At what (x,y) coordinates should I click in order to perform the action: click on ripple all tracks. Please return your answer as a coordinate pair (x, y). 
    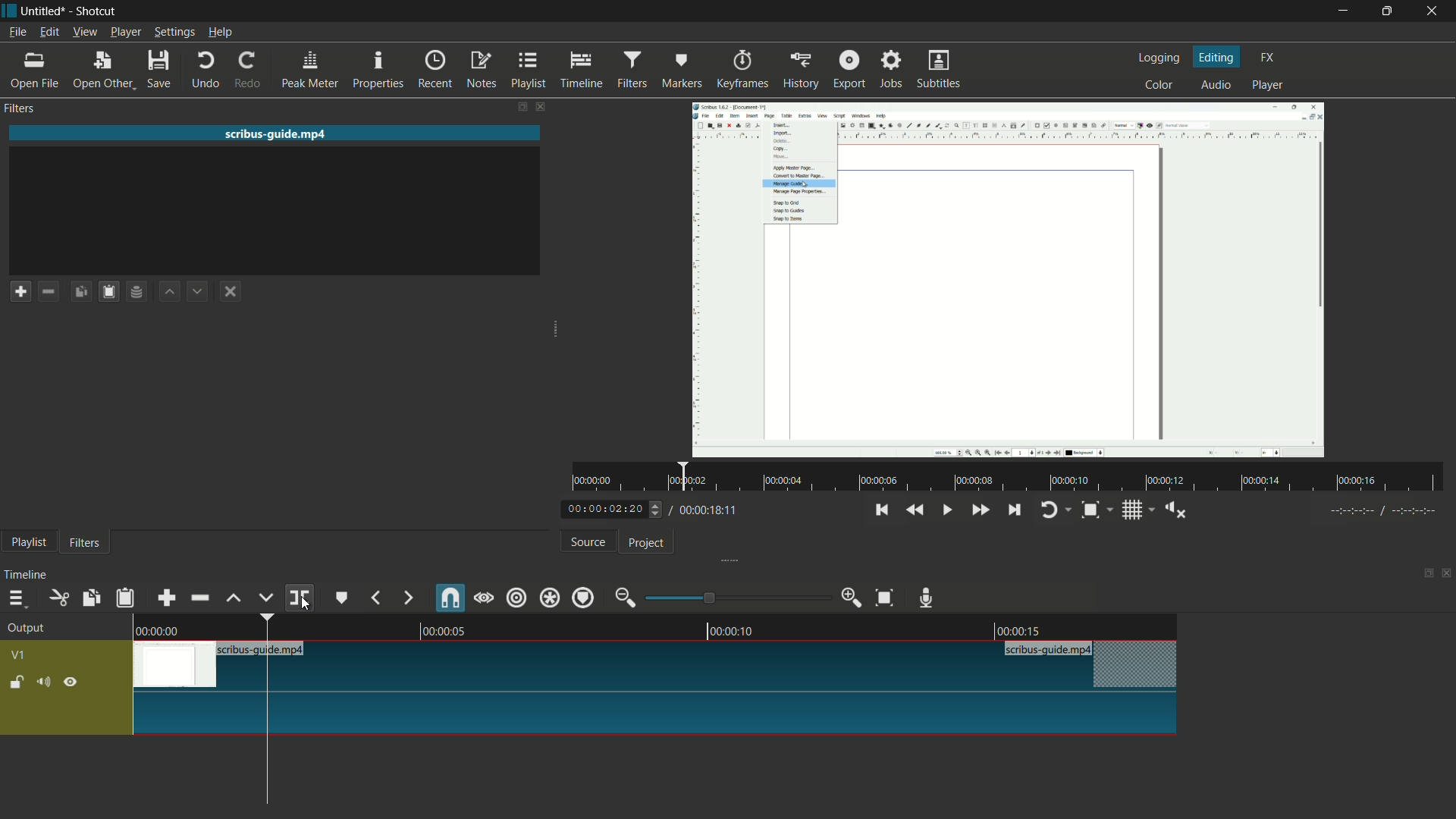
    Looking at the image, I should click on (549, 598).